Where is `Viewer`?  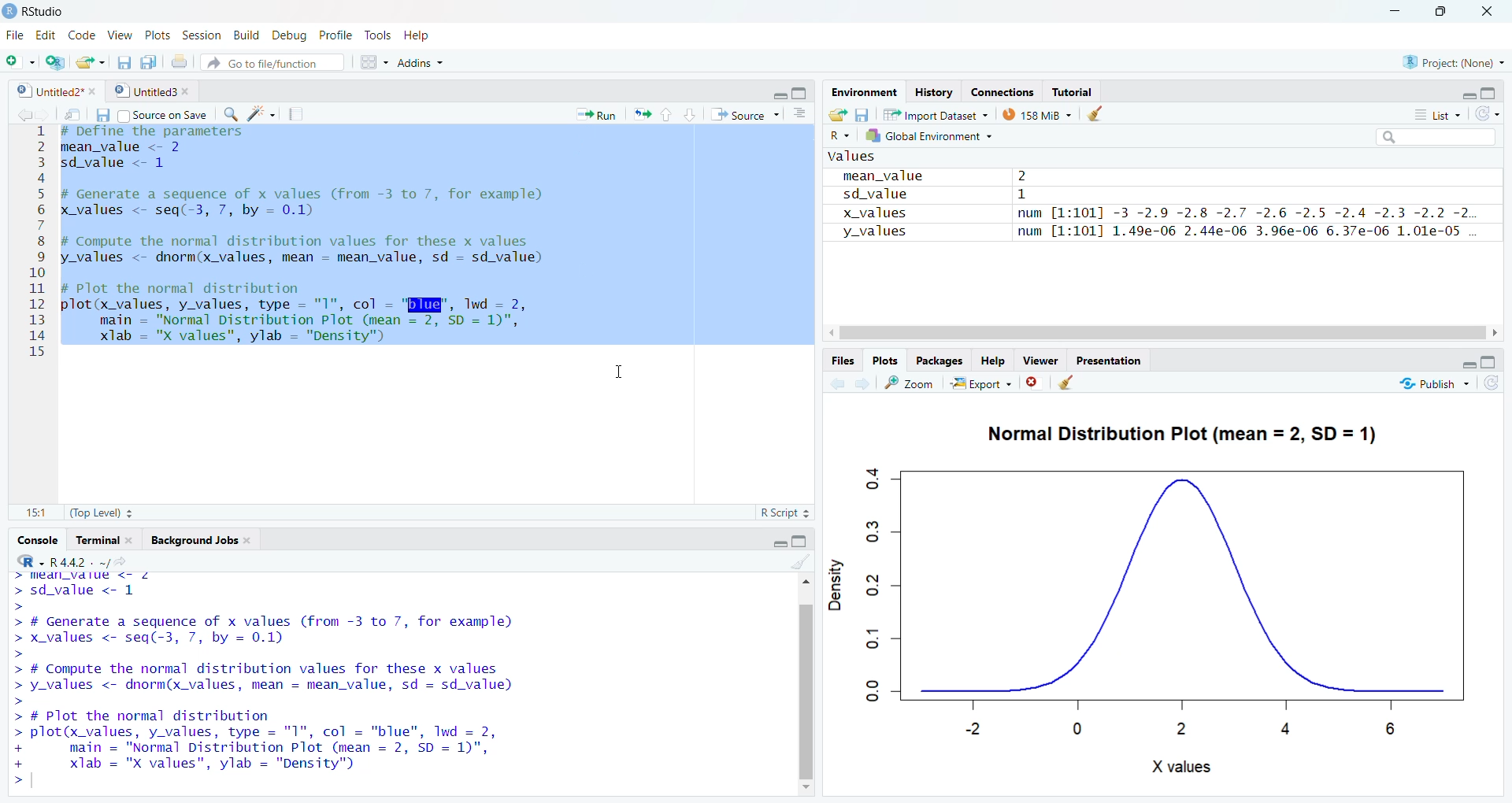 Viewer is located at coordinates (1041, 361).